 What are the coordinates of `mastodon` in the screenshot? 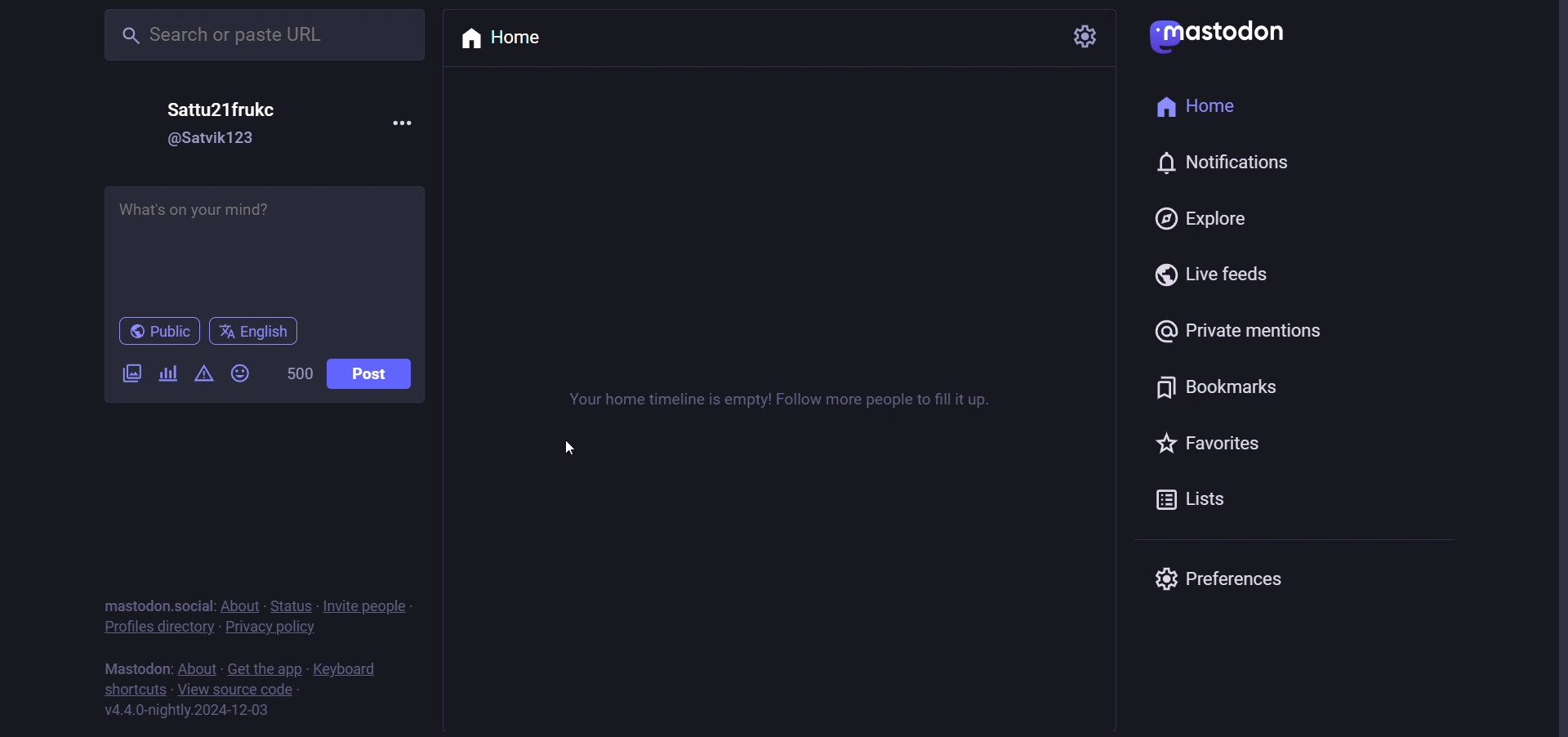 It's located at (1223, 33).